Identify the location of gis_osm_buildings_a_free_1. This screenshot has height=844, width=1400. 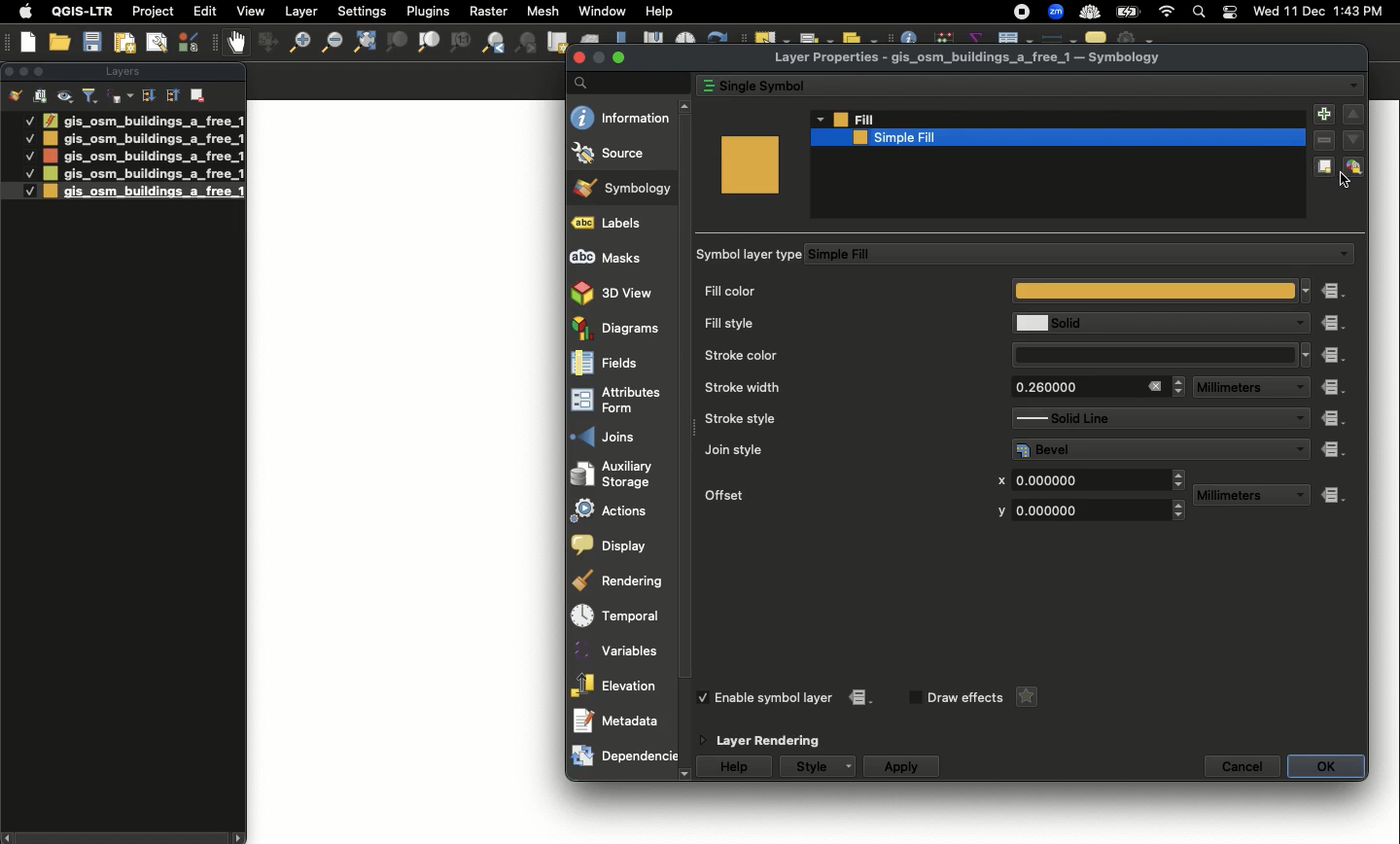
(143, 120).